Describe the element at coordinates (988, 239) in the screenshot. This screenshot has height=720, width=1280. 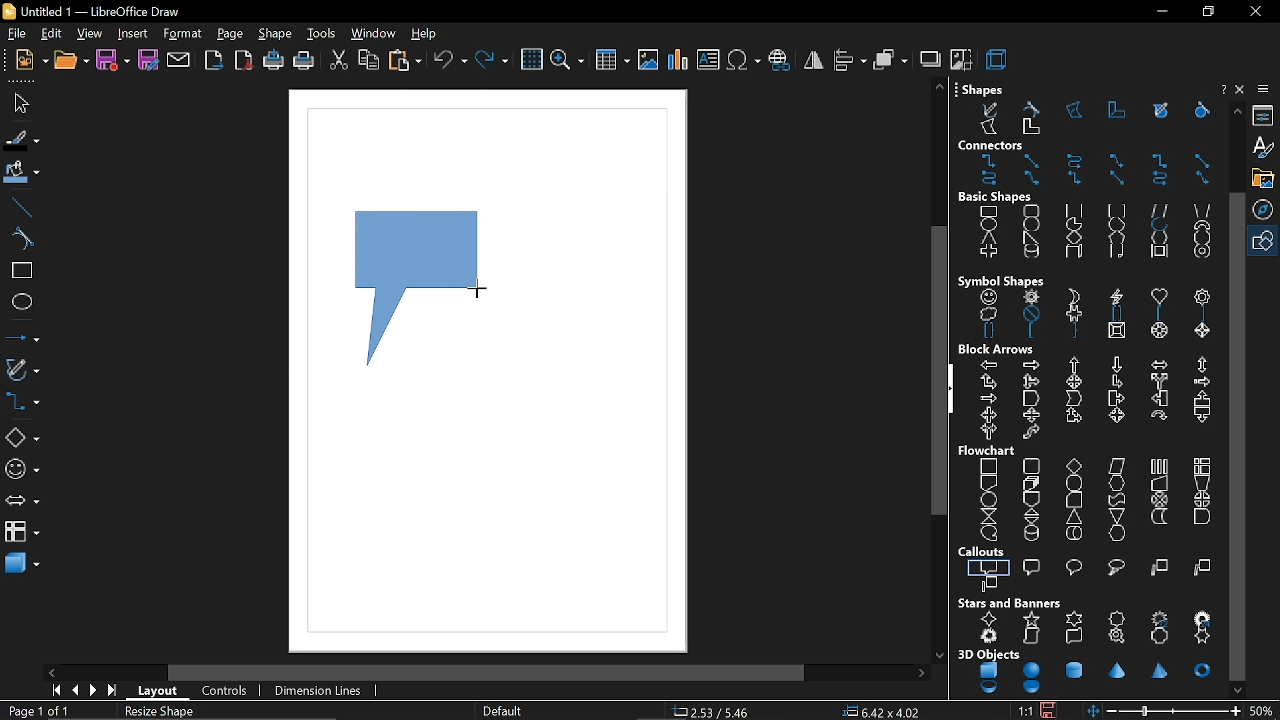
I see `isosceles triangle` at that location.